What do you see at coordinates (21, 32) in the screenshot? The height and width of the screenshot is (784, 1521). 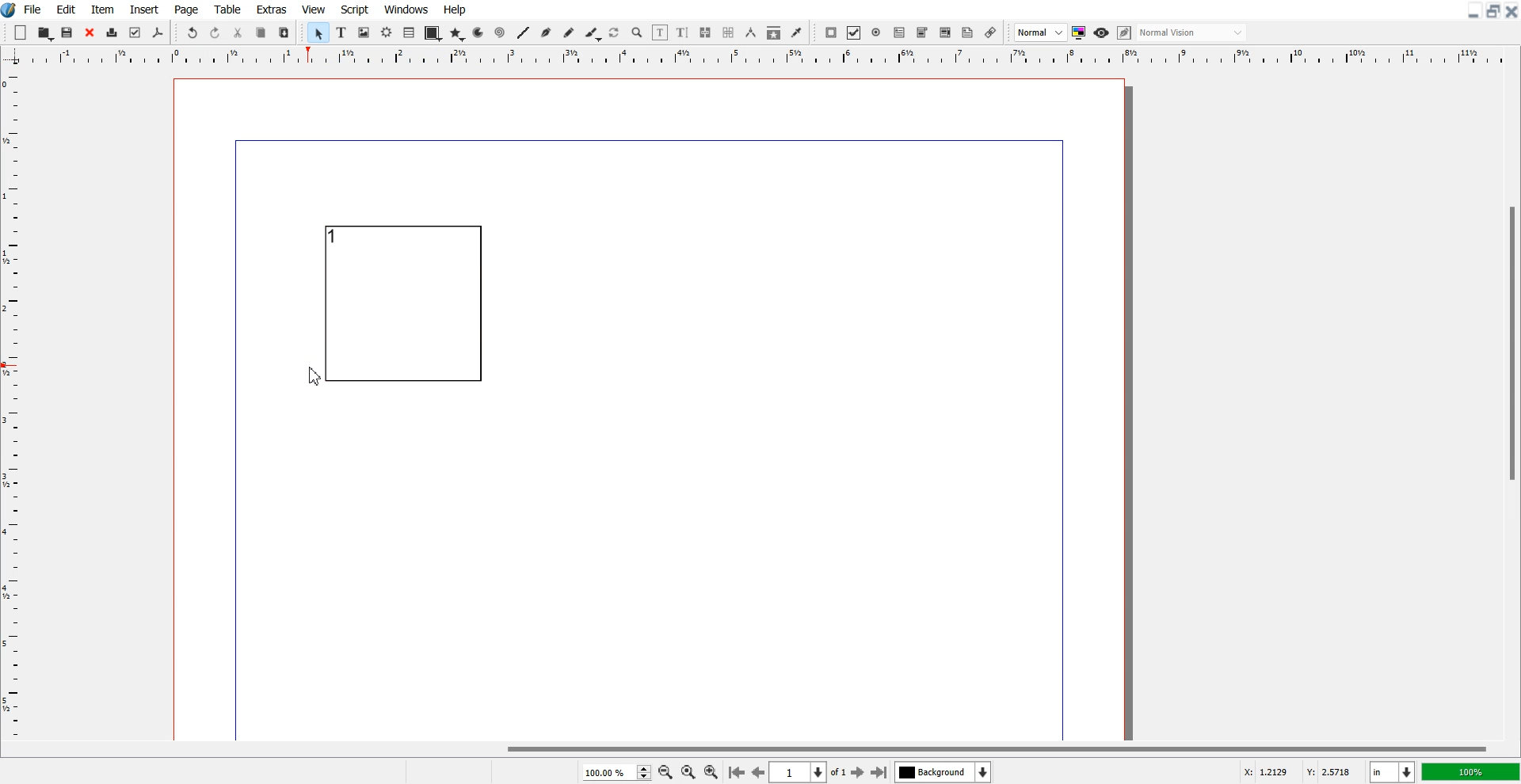 I see `New` at bounding box center [21, 32].